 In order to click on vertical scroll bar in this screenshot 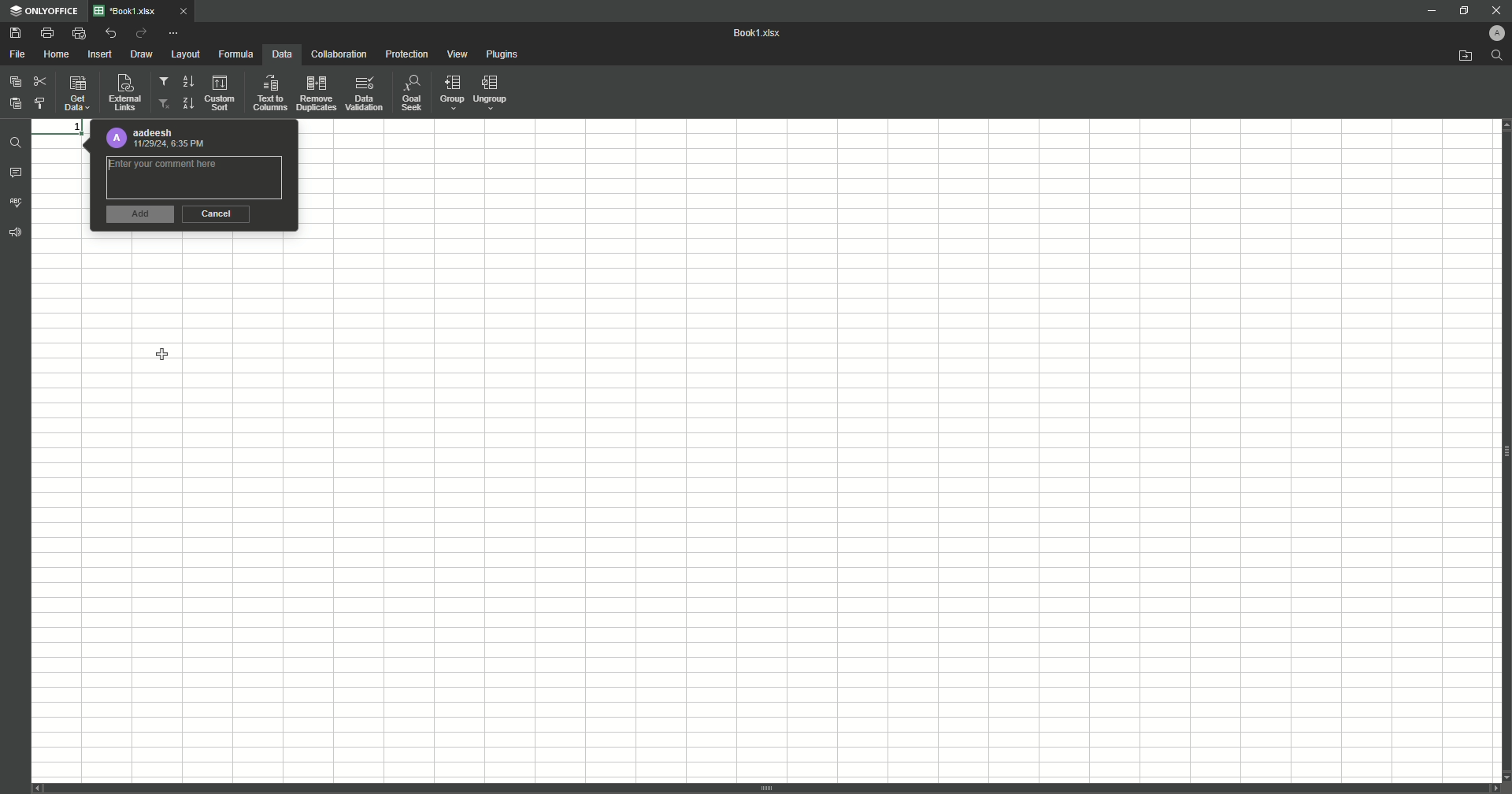, I will do `click(766, 788)`.